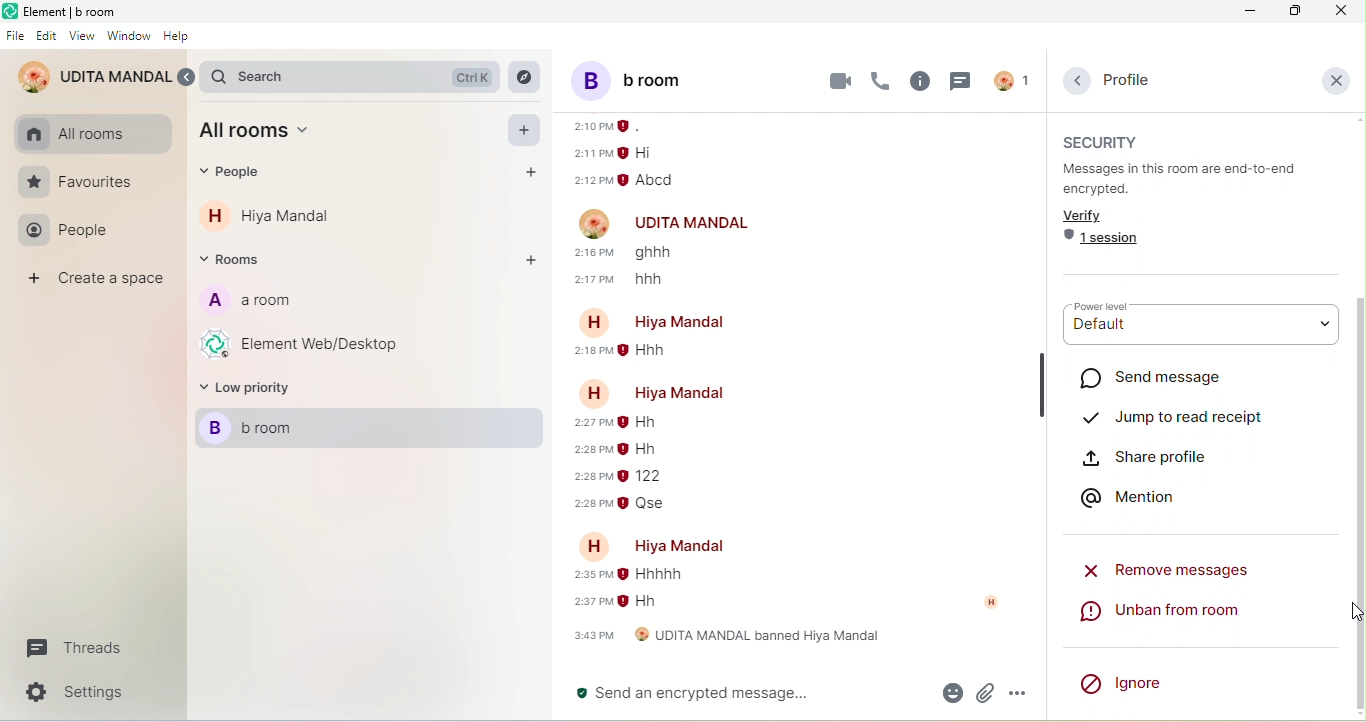 The height and width of the screenshot is (722, 1366). I want to click on low priority, so click(251, 391).